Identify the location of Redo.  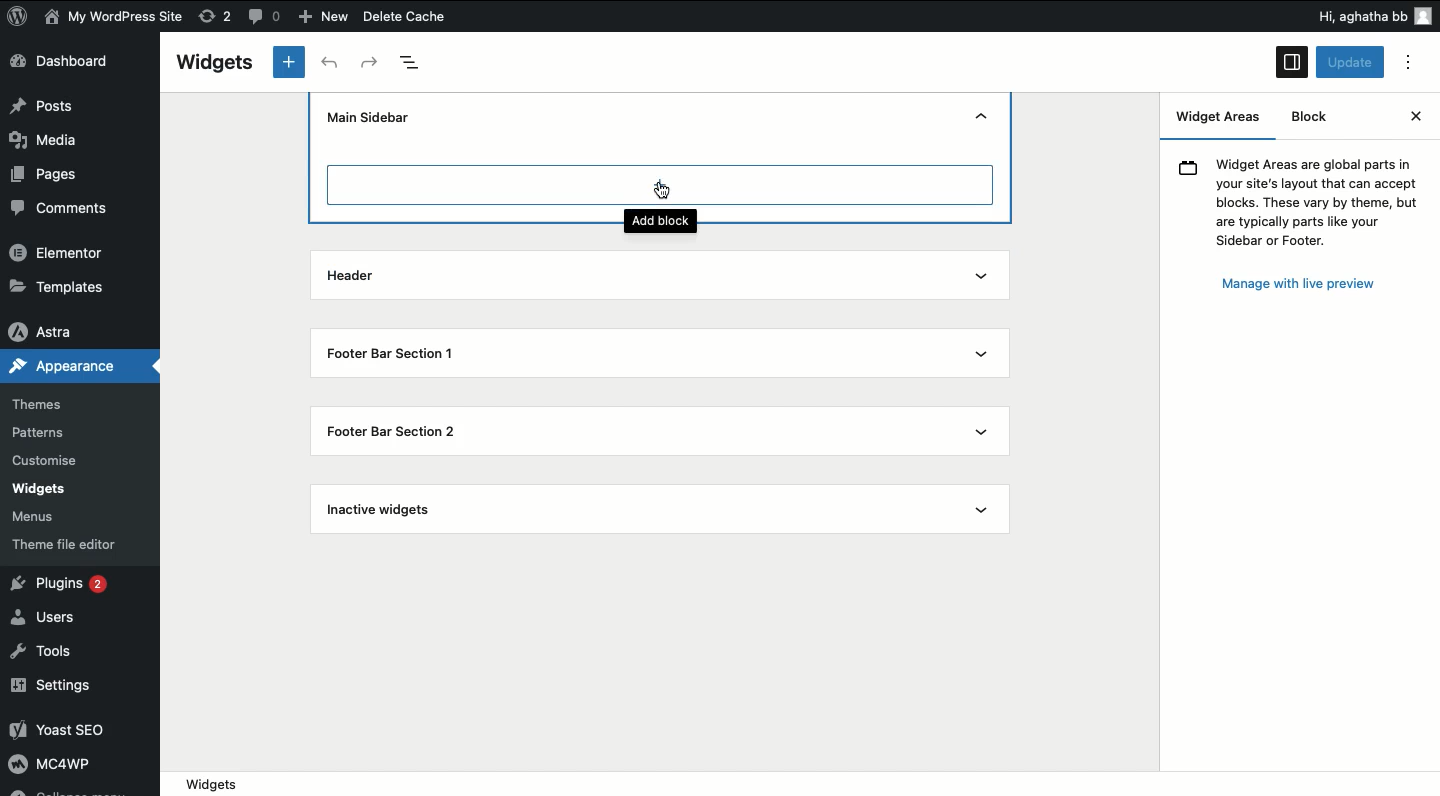
(367, 65).